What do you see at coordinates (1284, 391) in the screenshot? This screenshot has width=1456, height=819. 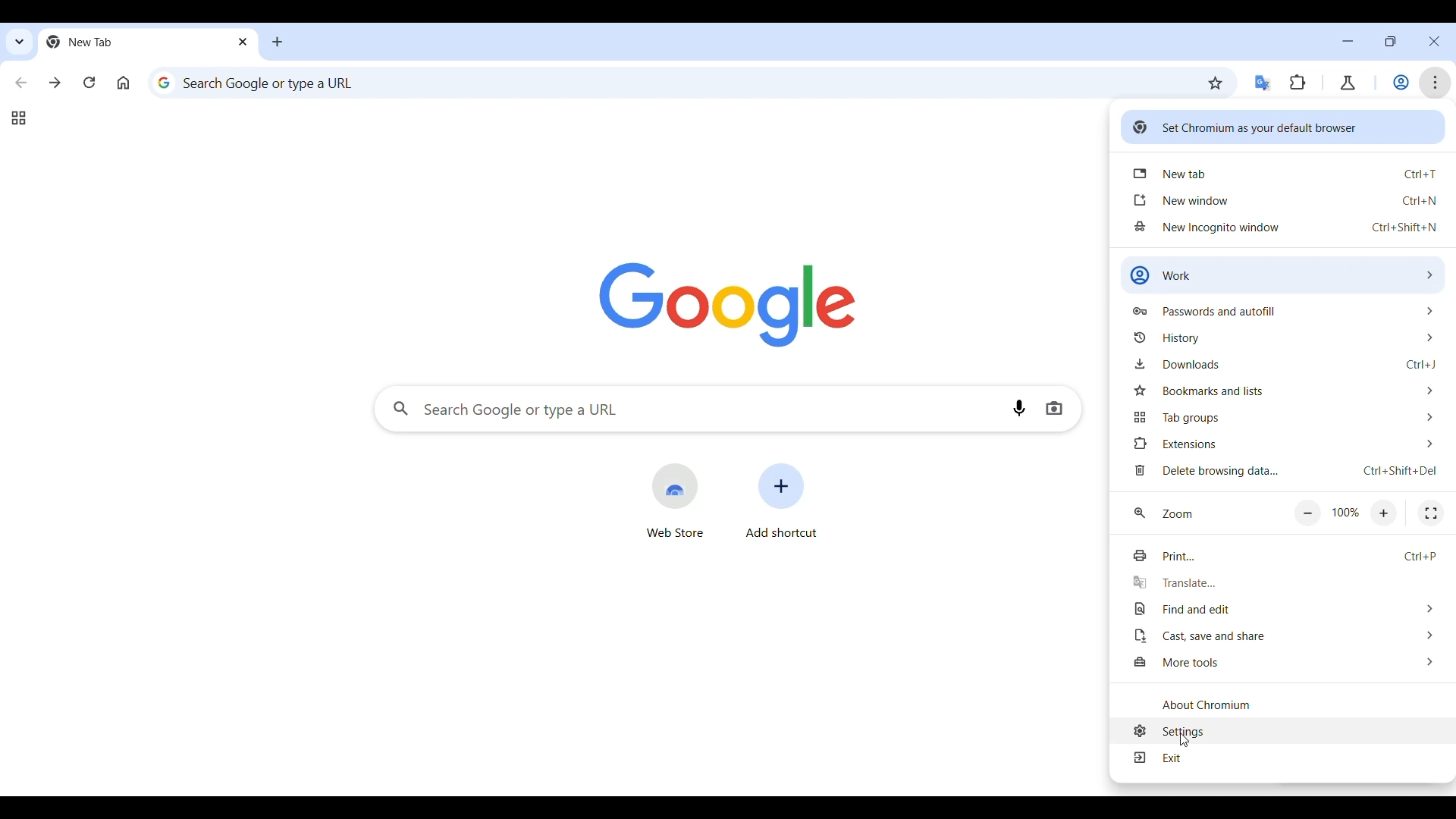 I see `Bookmark and lists` at bounding box center [1284, 391].